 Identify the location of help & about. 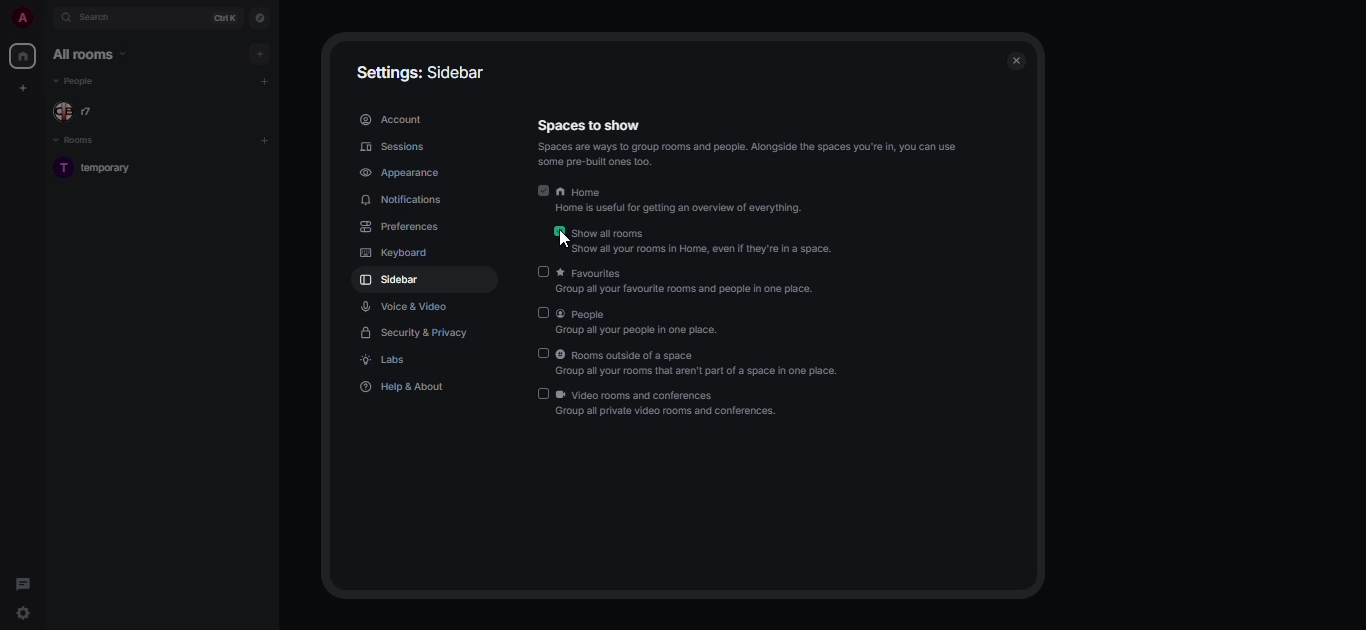
(405, 387).